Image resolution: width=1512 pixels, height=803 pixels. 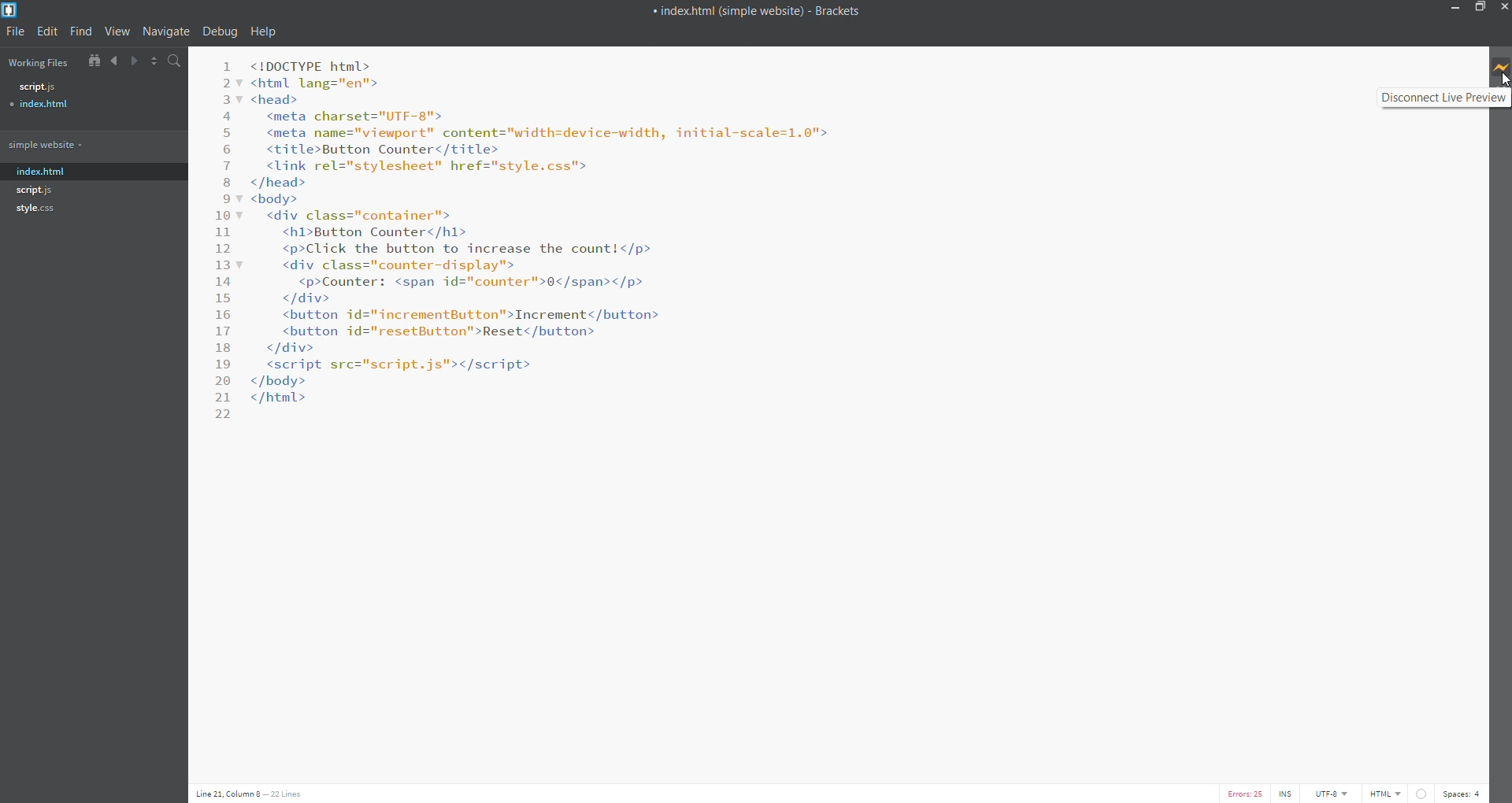 I want to click on logo, so click(x=8, y=9).